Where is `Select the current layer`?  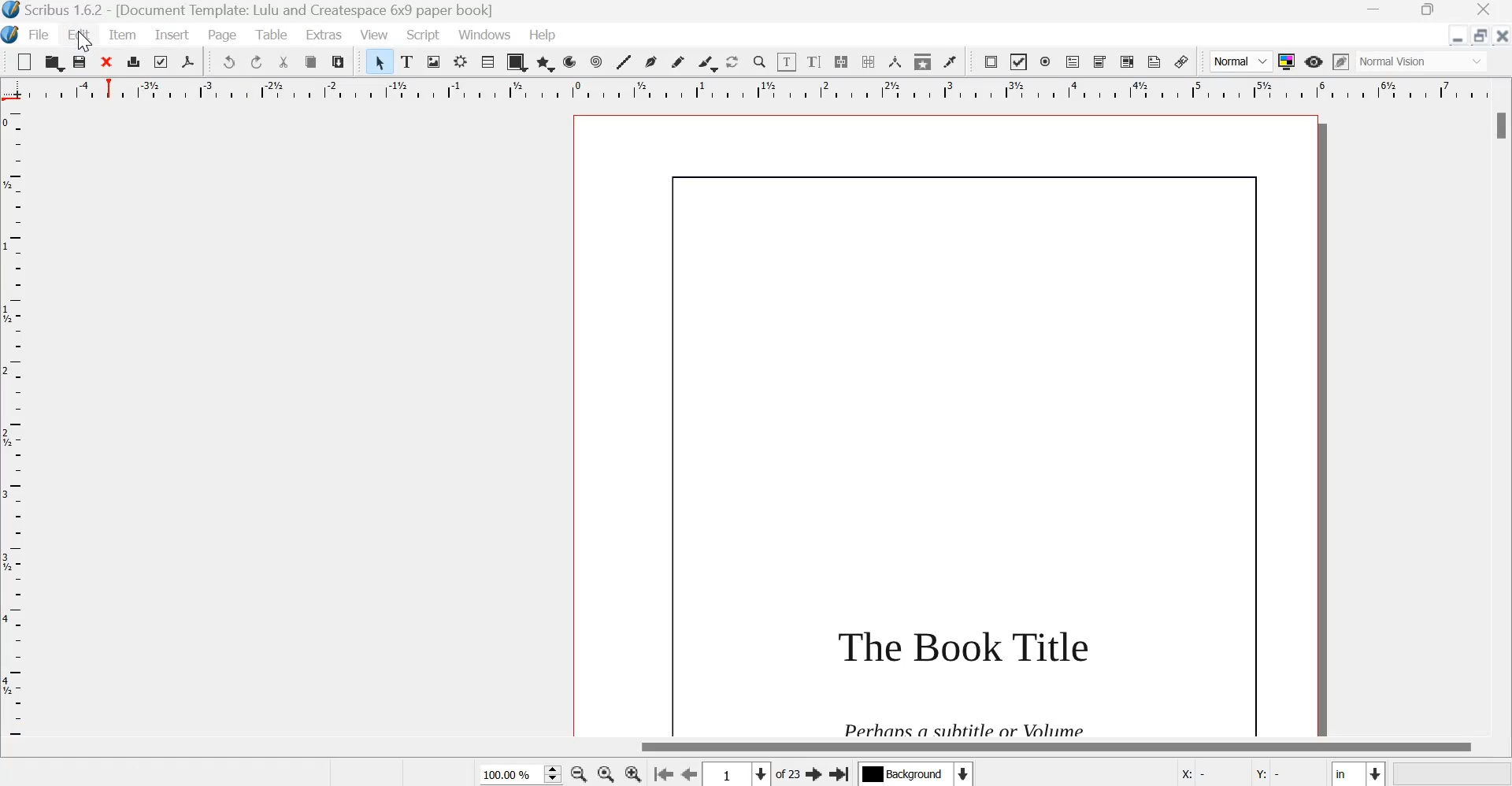
Select the current layer is located at coordinates (916, 773).